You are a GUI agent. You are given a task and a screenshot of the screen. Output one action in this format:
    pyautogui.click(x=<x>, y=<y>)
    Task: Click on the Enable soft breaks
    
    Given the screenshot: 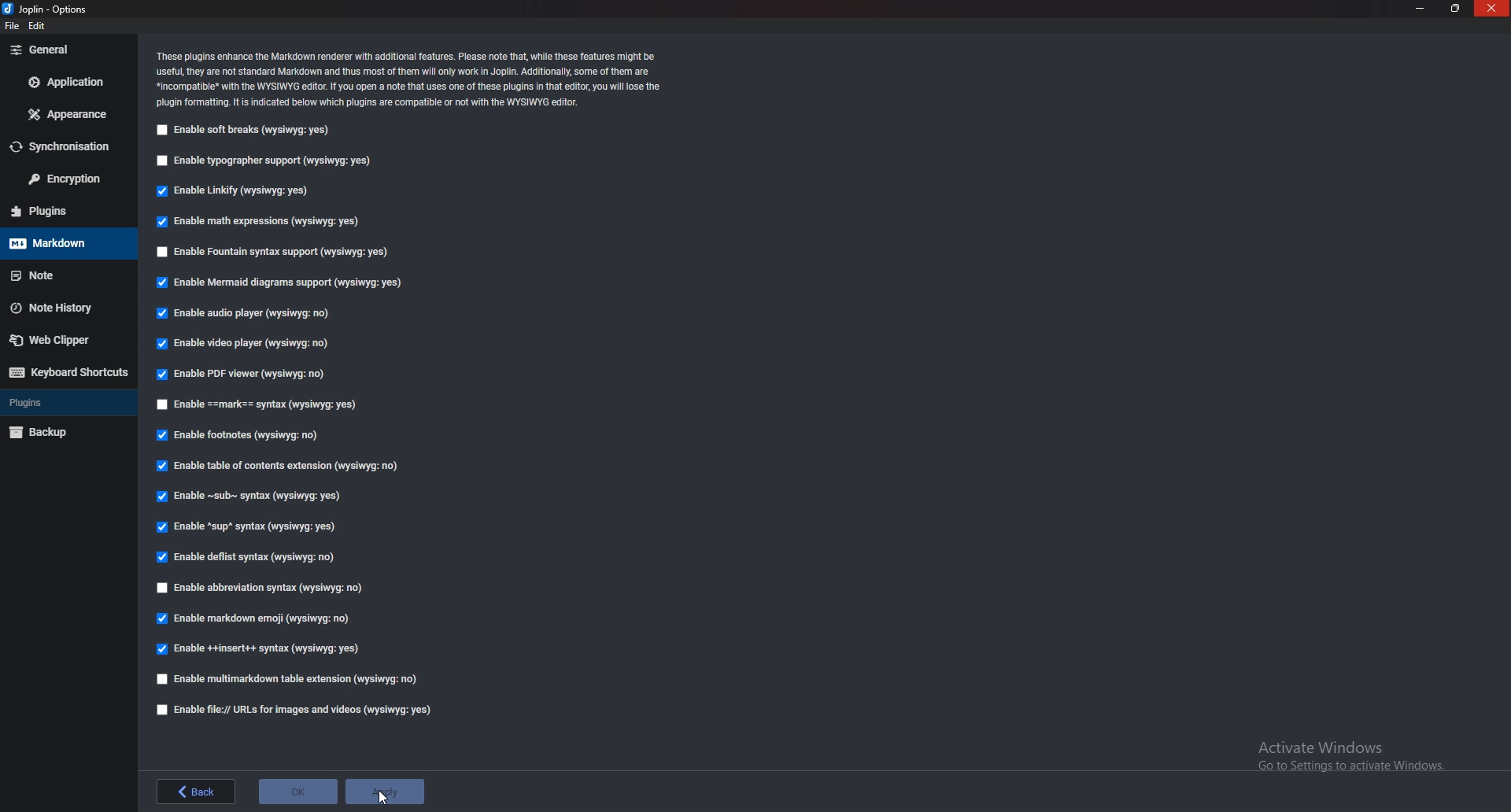 What is the action you would take?
    pyautogui.click(x=246, y=131)
    